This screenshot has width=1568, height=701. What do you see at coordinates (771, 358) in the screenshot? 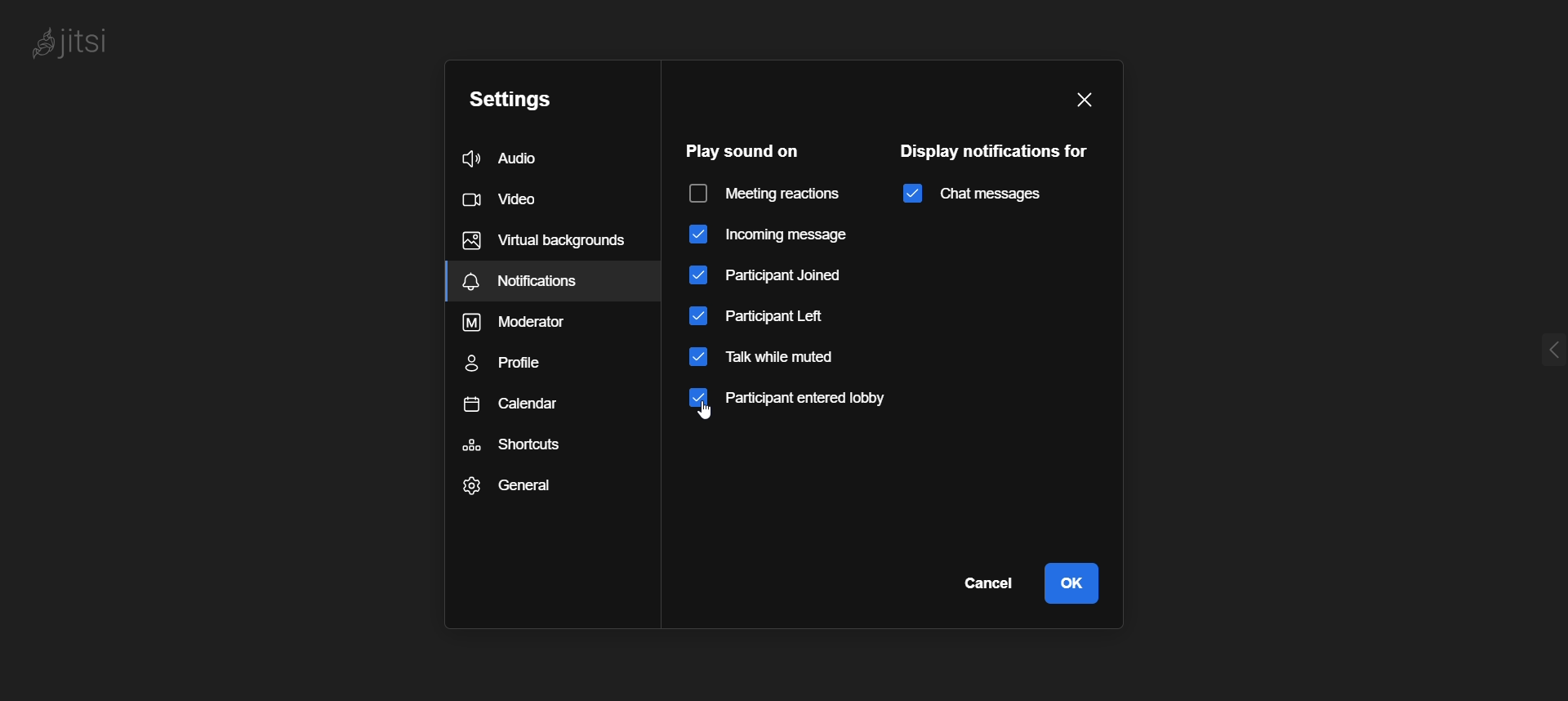
I see `talk while muted` at bounding box center [771, 358].